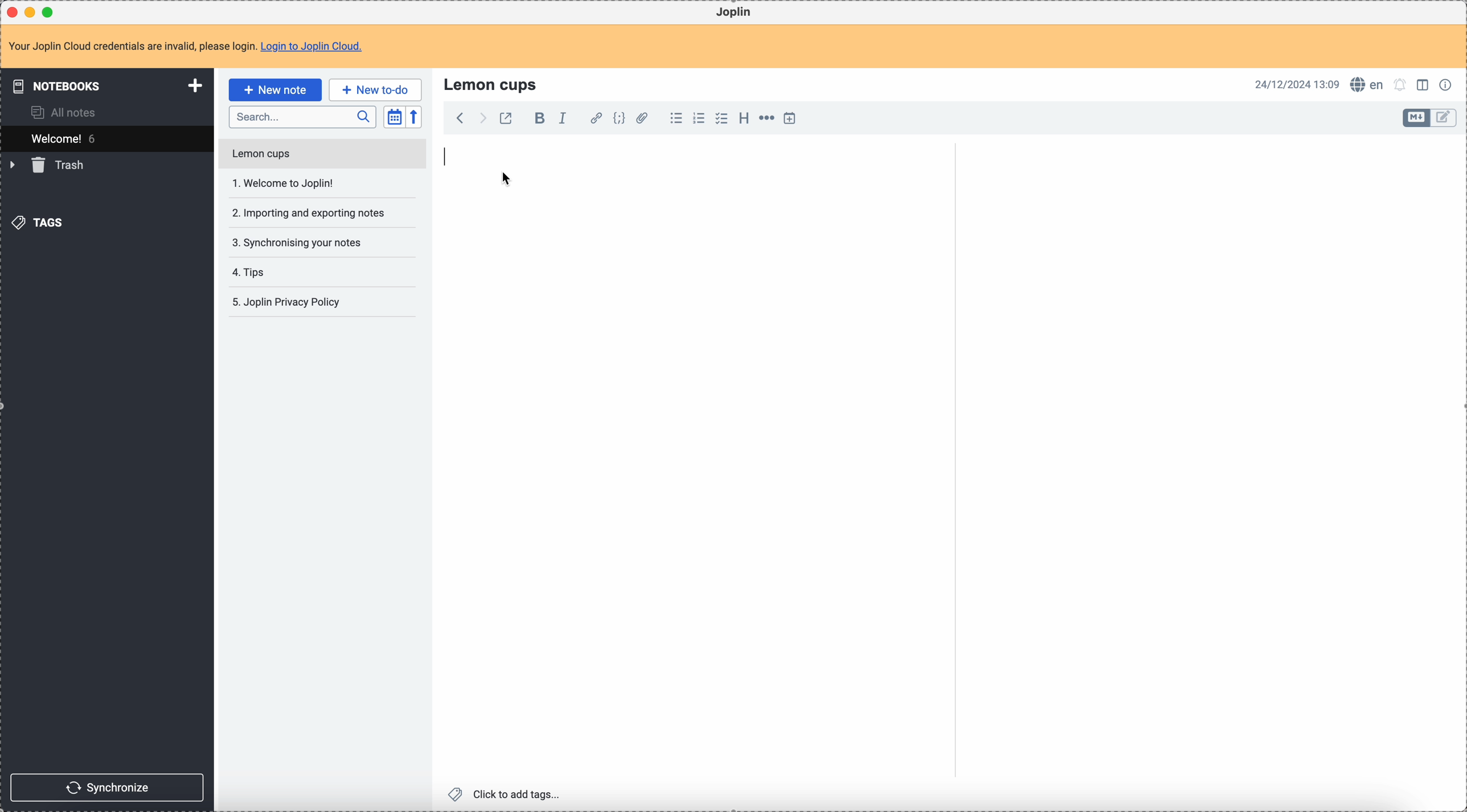 Image resolution: width=1467 pixels, height=812 pixels. I want to click on click on new note, so click(274, 89).